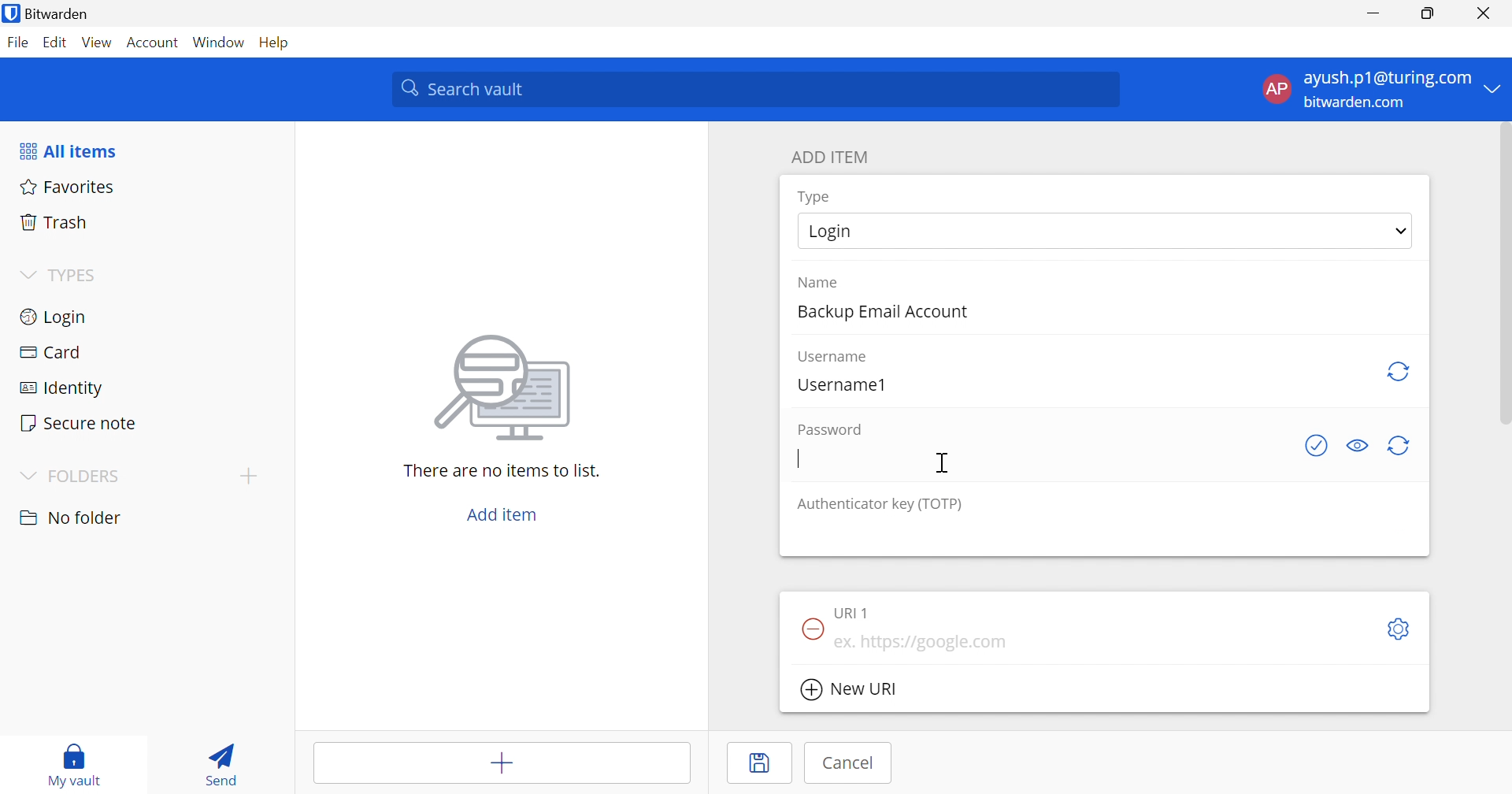  Describe the element at coordinates (98, 43) in the screenshot. I see `View` at that location.